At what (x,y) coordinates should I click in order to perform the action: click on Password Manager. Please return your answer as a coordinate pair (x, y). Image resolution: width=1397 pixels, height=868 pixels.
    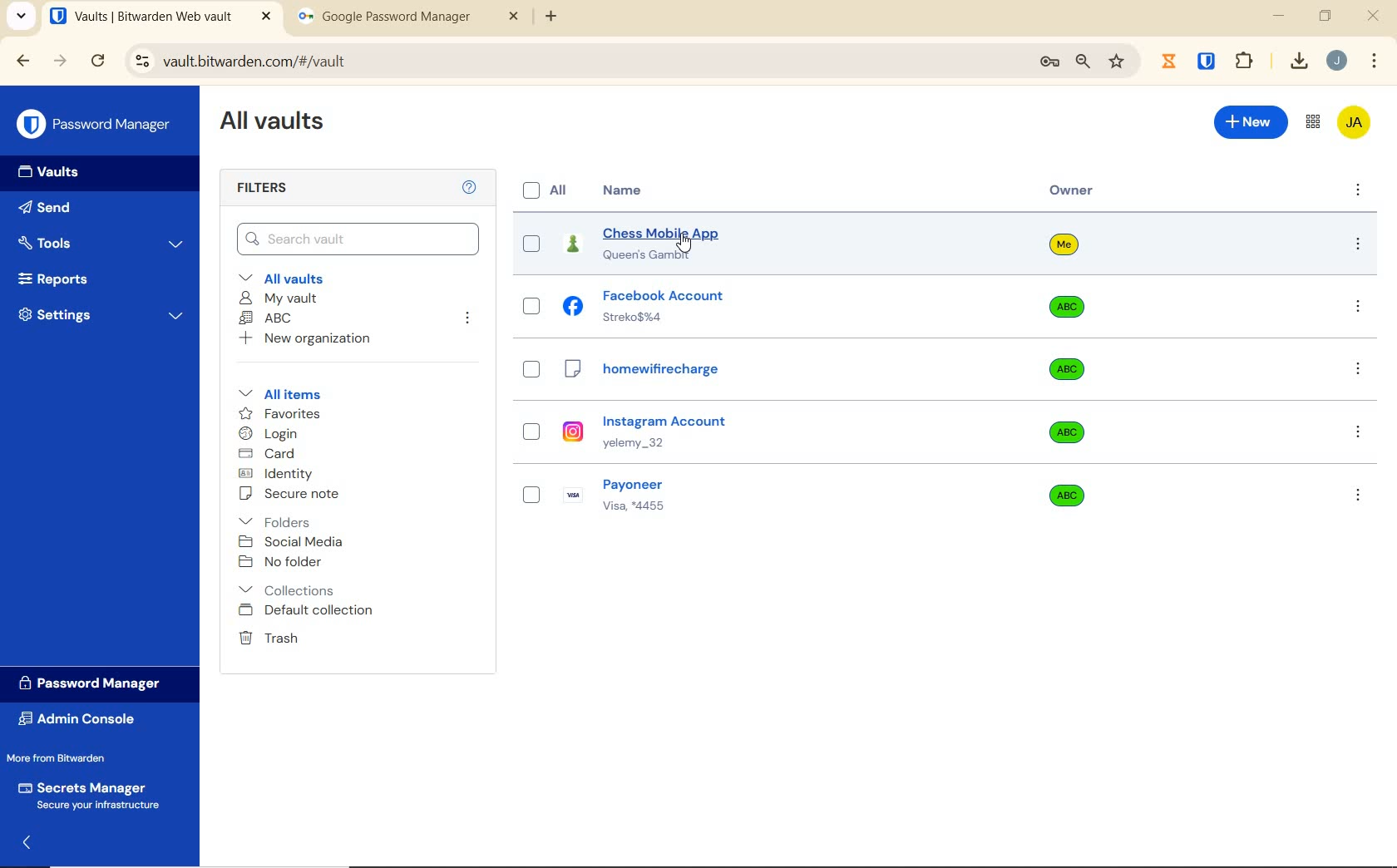
    Looking at the image, I should click on (98, 684).